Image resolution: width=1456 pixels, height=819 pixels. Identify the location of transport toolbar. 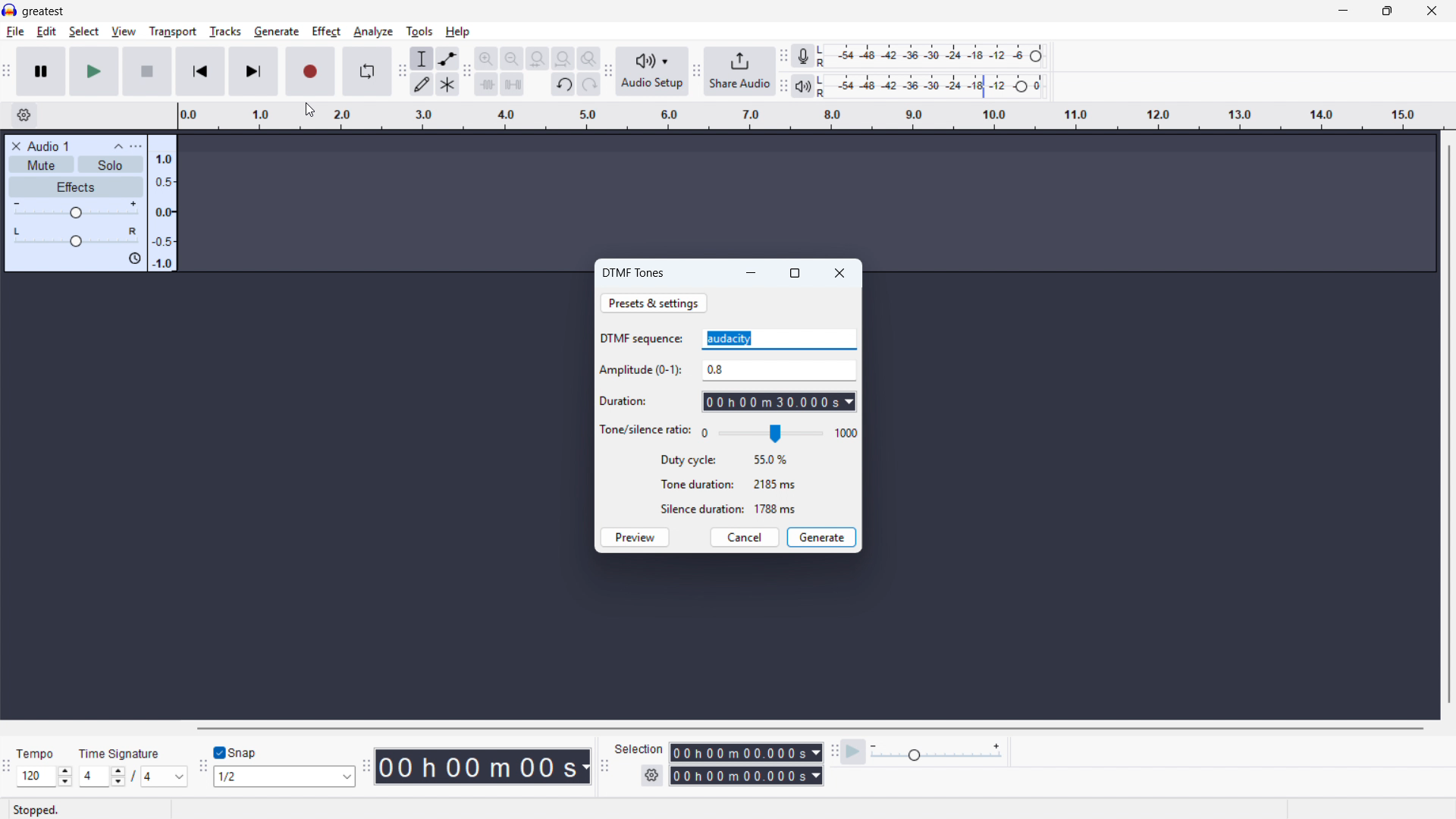
(7, 74).